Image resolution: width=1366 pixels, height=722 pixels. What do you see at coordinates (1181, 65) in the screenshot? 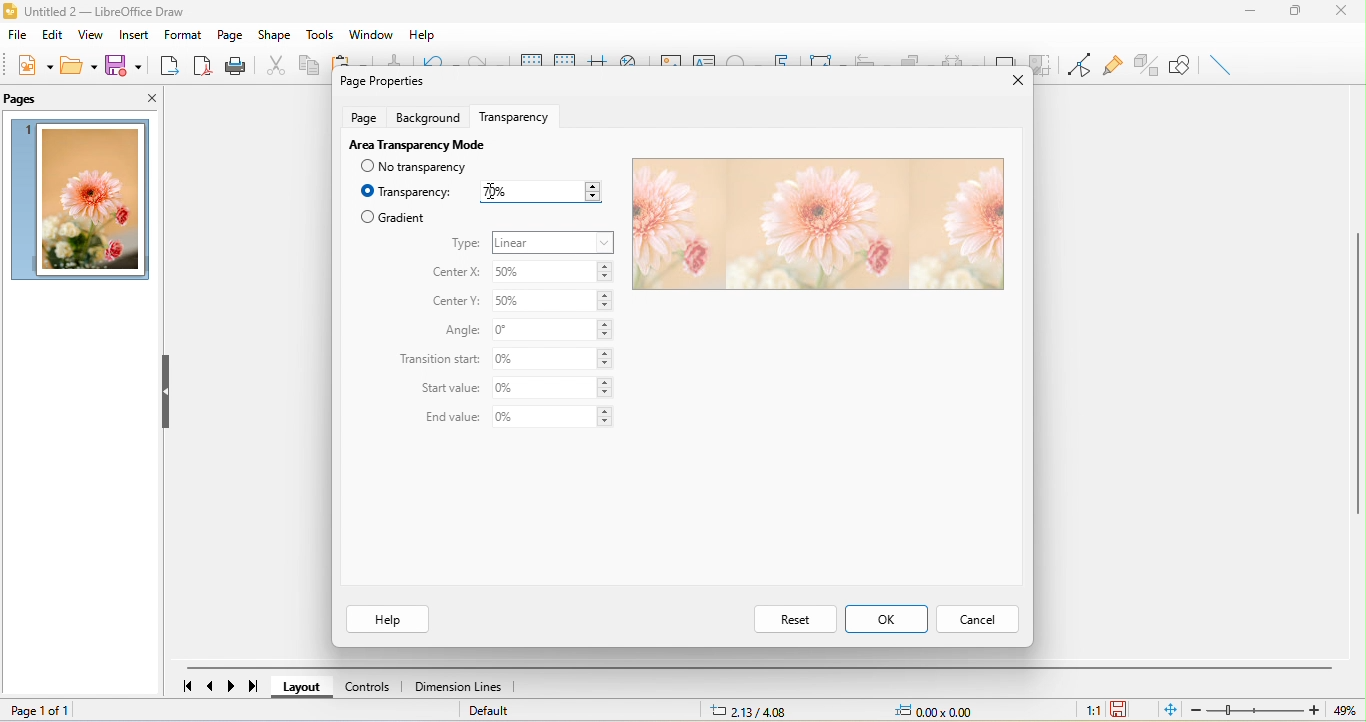
I see `show draw function` at bounding box center [1181, 65].